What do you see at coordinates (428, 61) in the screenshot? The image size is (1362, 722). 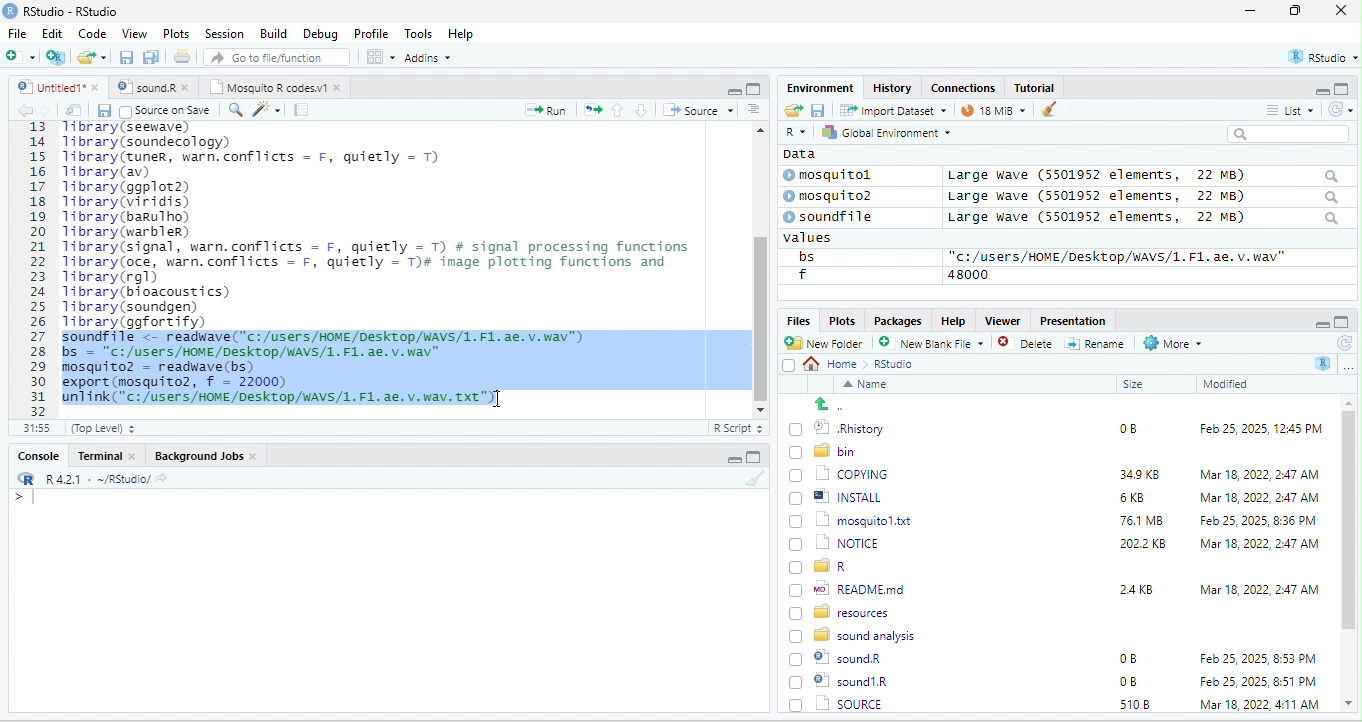 I see `Adonns ` at bounding box center [428, 61].